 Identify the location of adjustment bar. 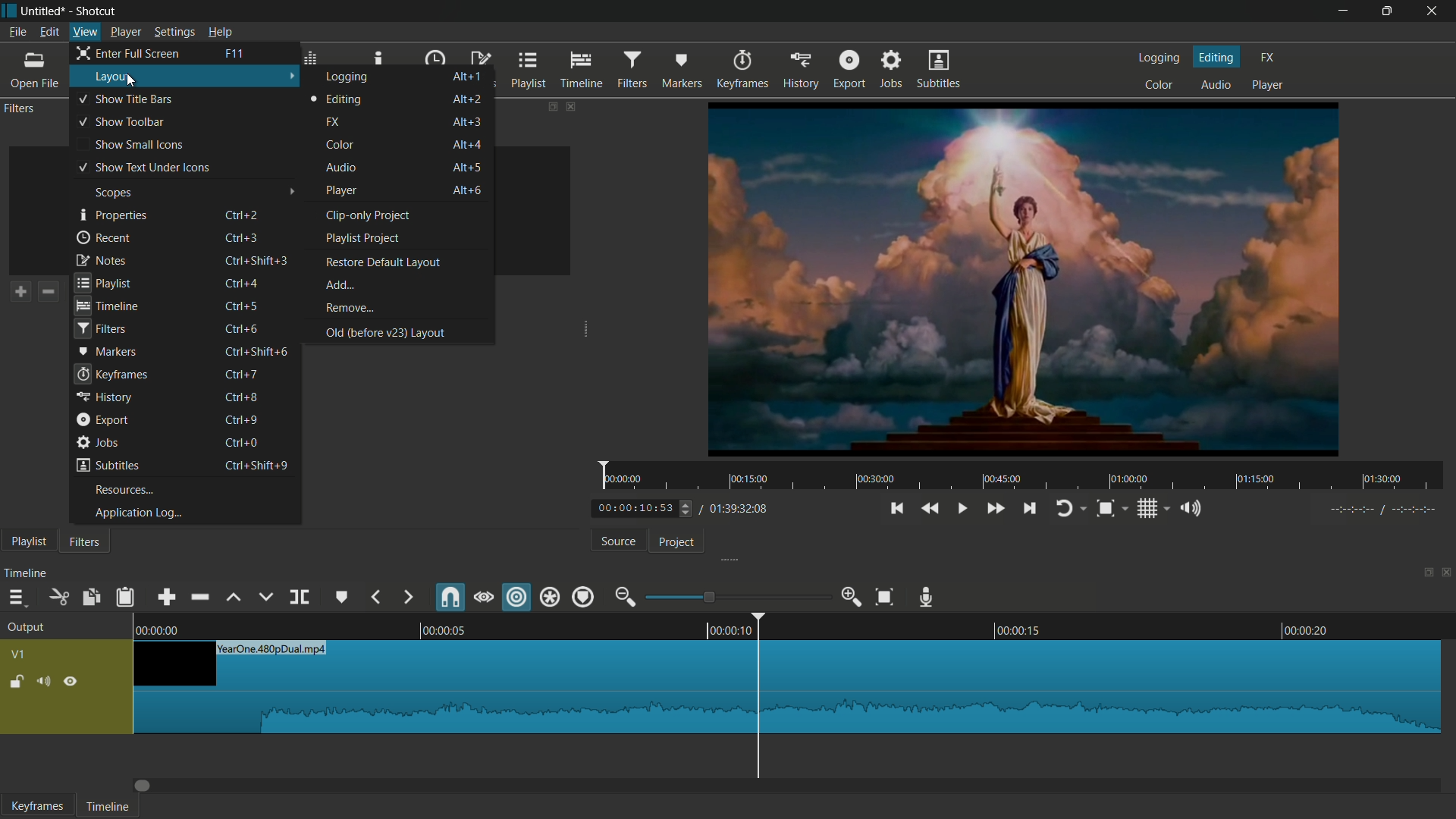
(736, 597).